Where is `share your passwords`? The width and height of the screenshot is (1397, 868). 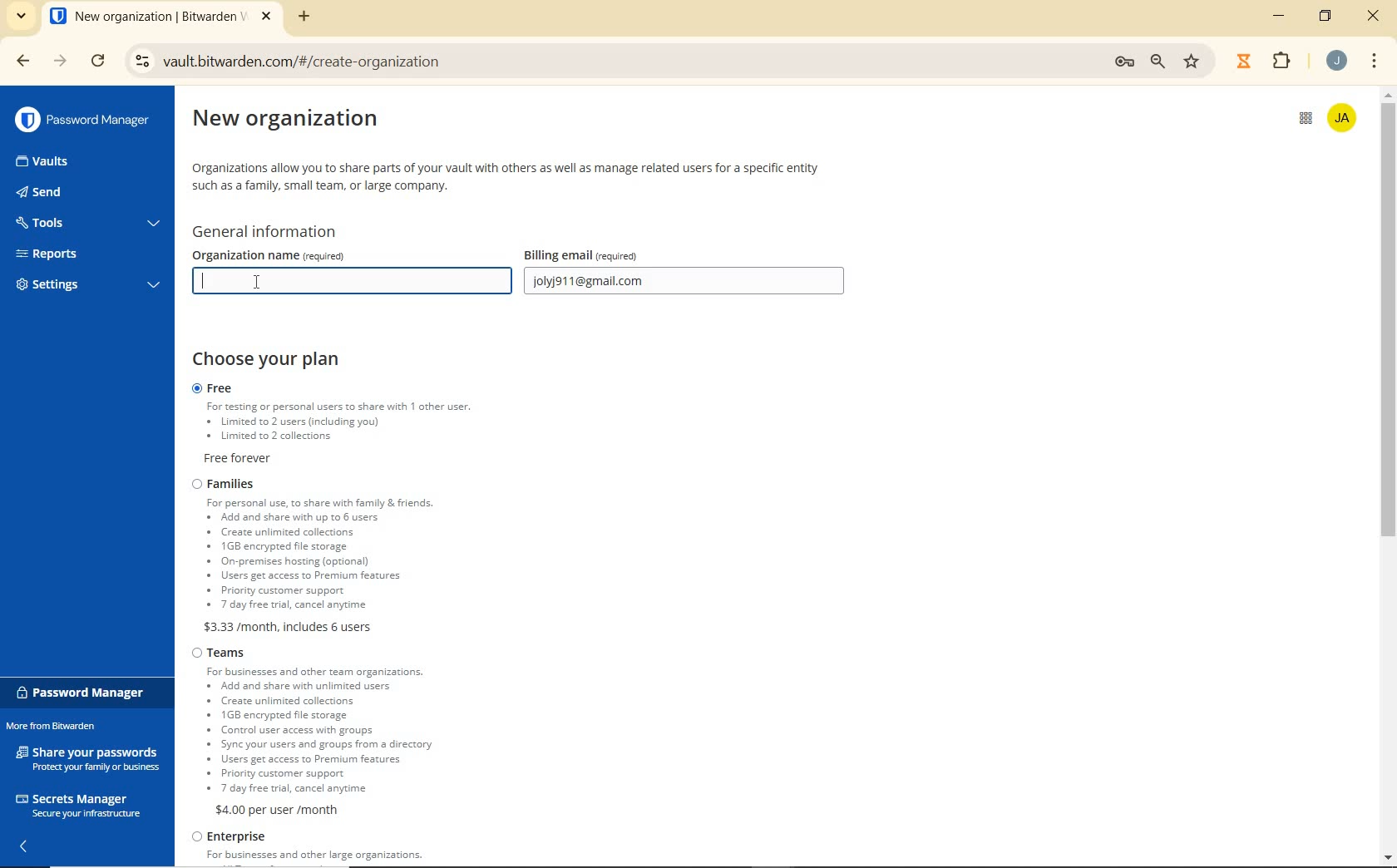 share your passwords is located at coordinates (90, 757).